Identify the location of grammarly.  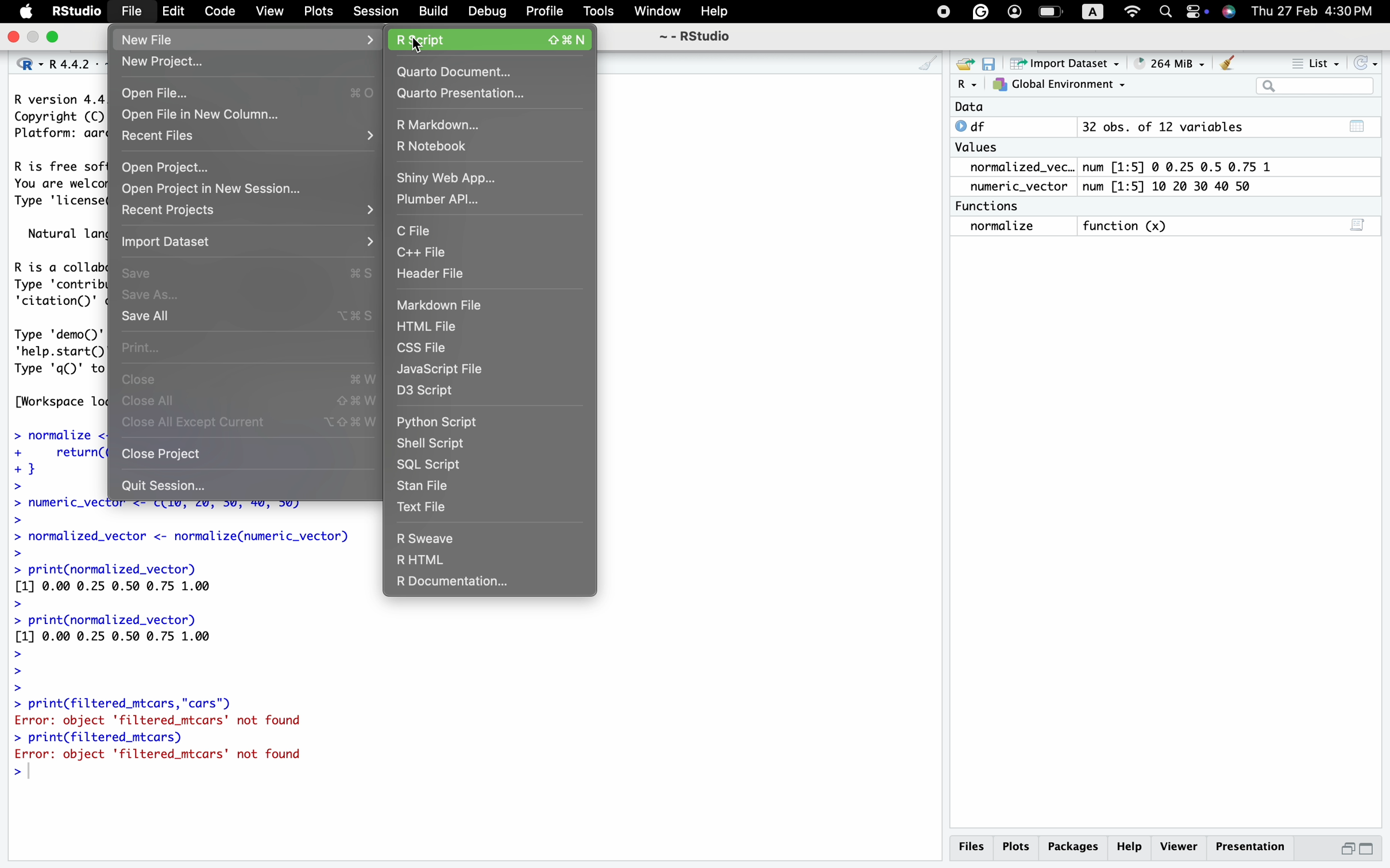
(980, 11).